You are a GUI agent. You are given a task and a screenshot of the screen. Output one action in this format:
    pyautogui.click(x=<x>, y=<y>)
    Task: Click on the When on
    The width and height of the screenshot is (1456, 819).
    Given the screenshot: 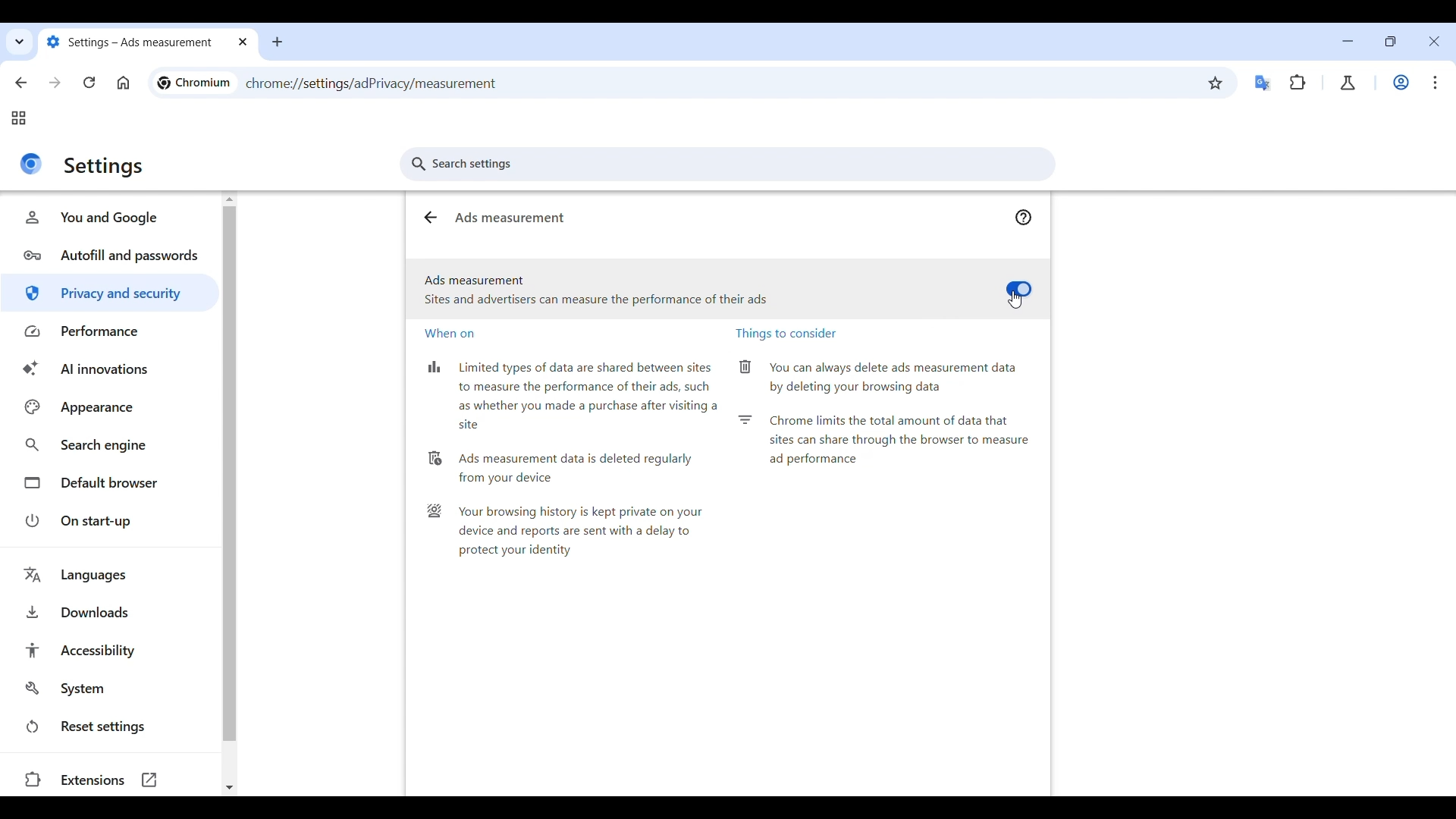 What is the action you would take?
    pyautogui.click(x=457, y=335)
    